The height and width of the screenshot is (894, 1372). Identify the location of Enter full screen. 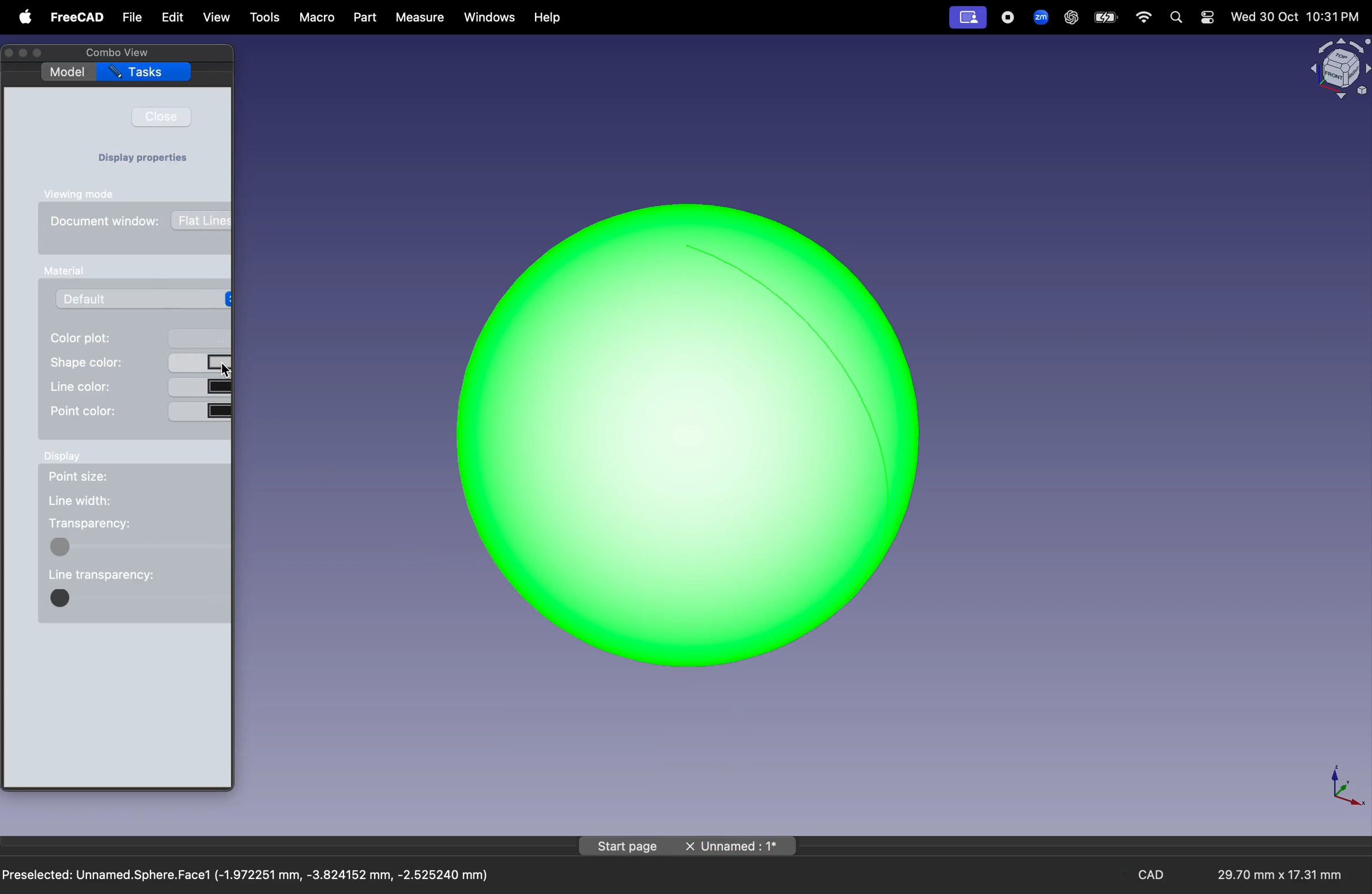
(42, 54).